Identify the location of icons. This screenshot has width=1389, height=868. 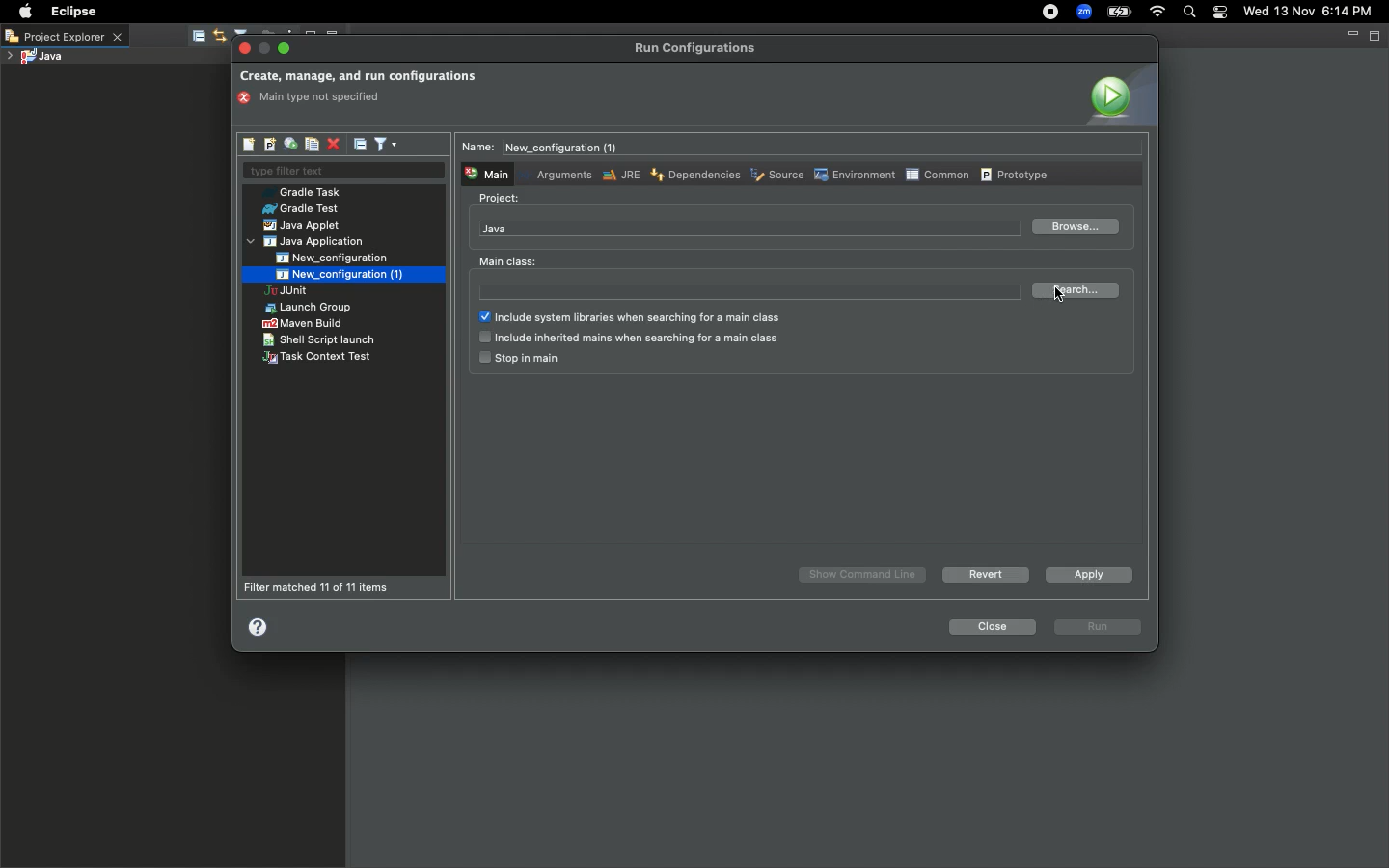
(249, 30).